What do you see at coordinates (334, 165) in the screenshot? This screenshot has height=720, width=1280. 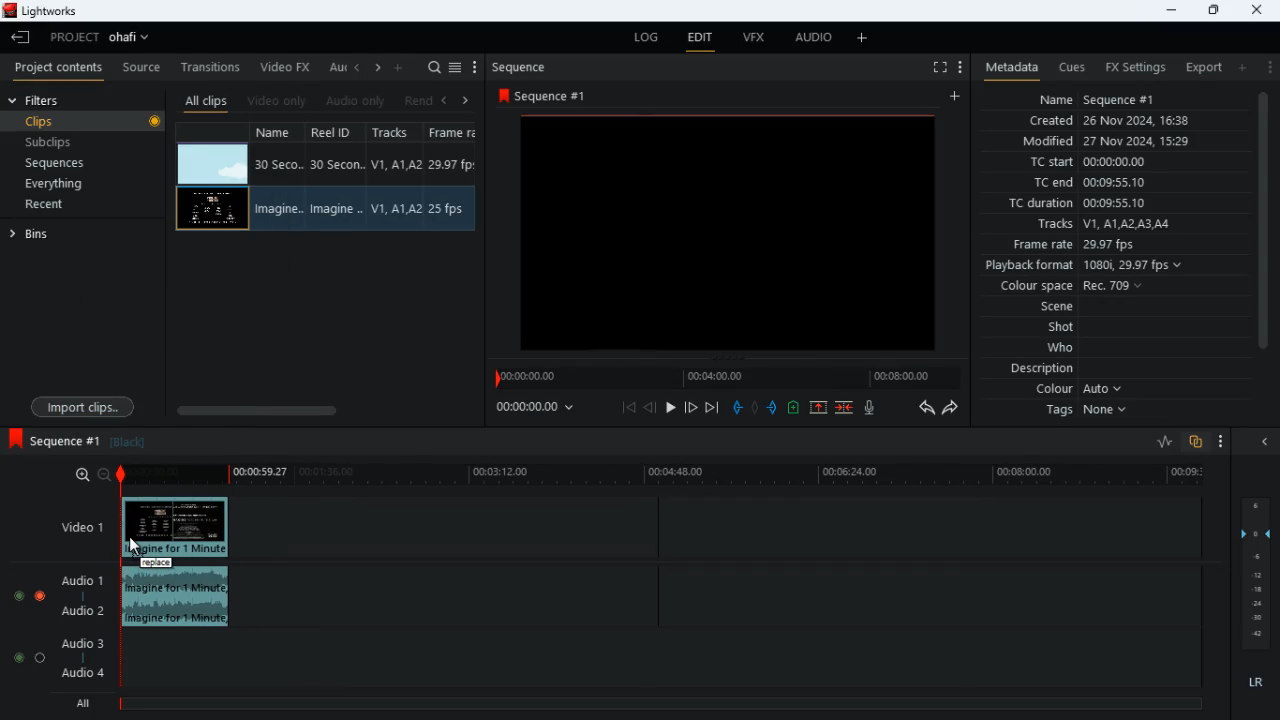 I see `30 secon...` at bounding box center [334, 165].